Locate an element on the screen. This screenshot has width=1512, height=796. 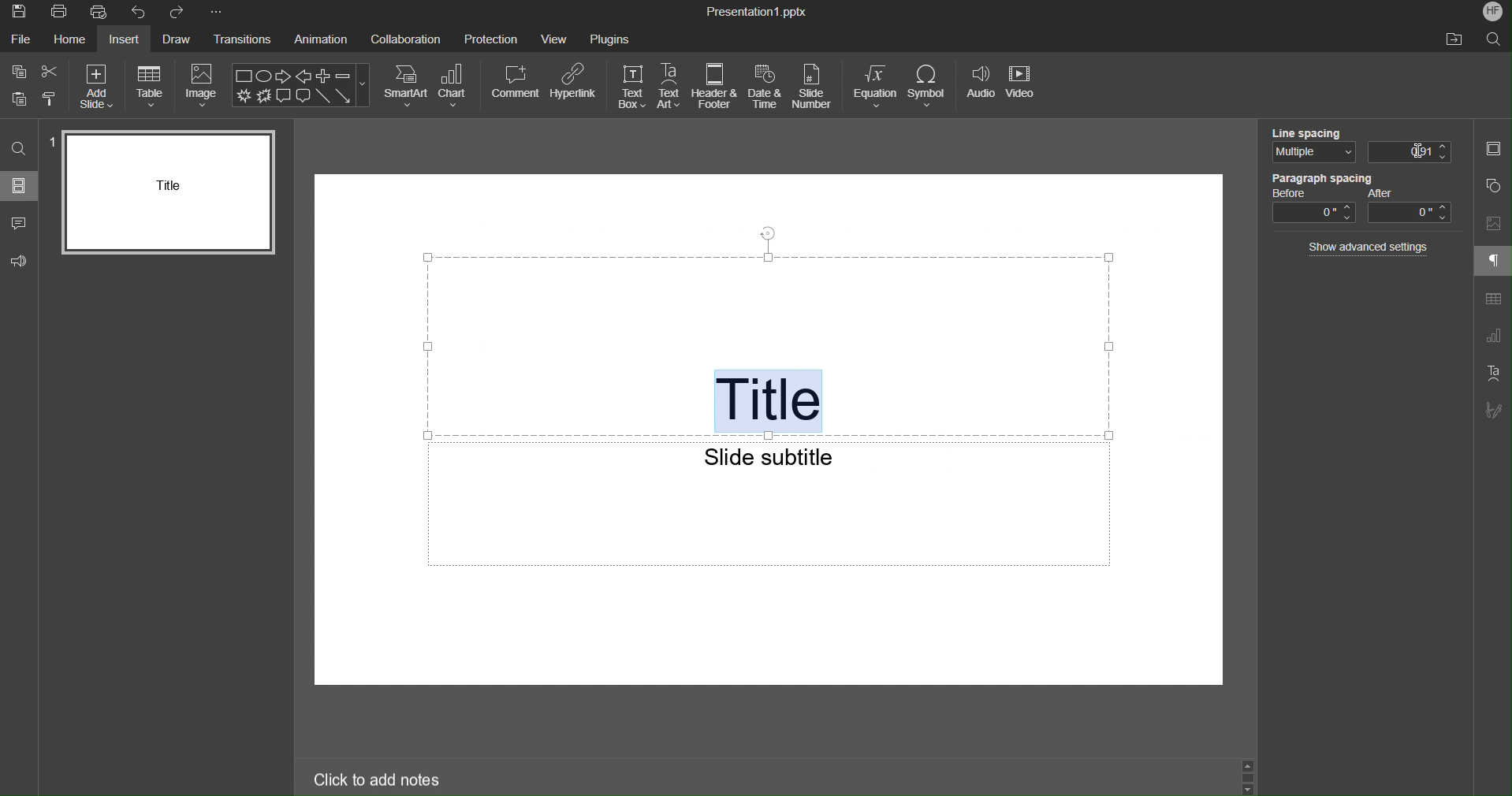
File is located at coordinates (22, 42).